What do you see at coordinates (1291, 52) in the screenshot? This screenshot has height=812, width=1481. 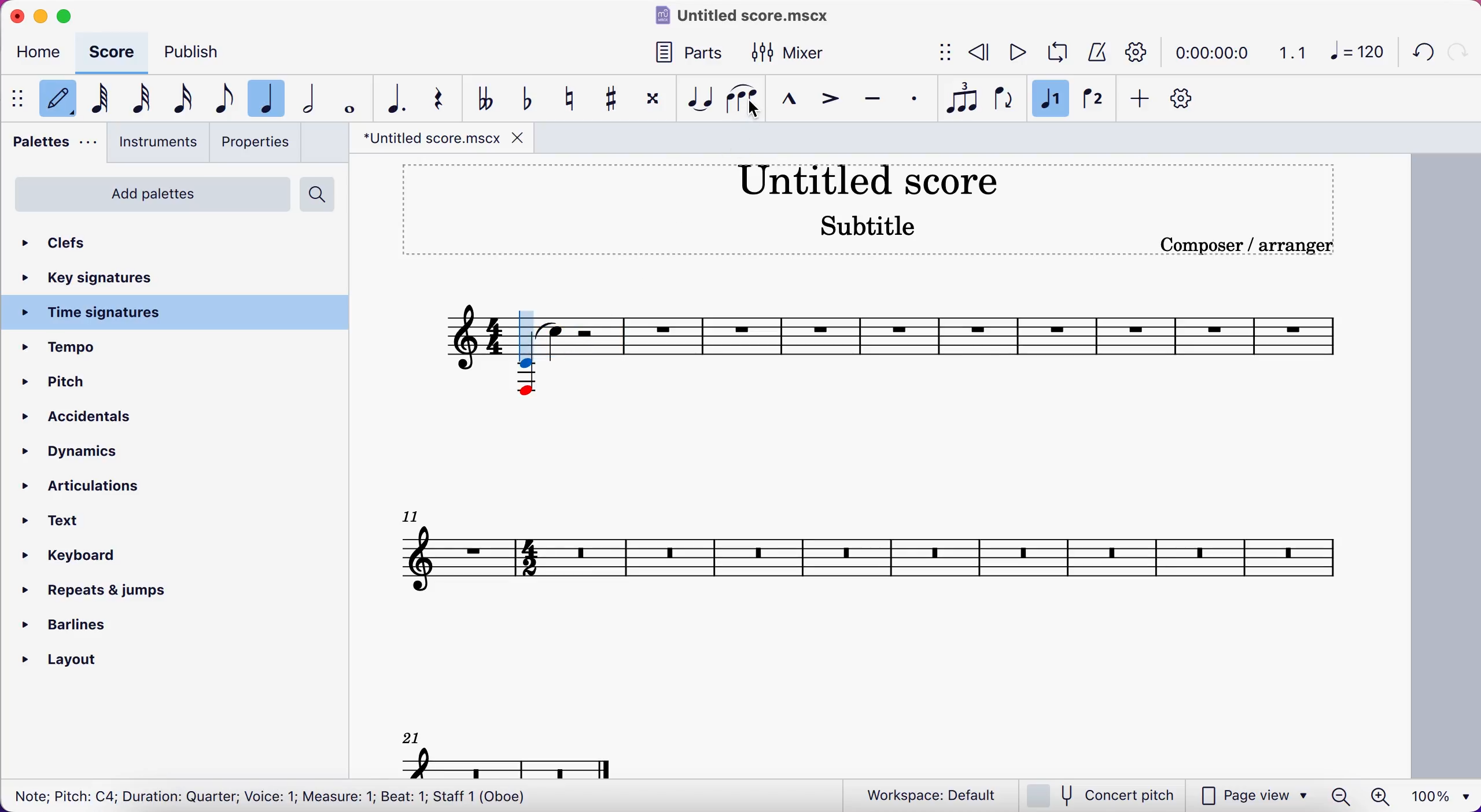 I see `1.1` at bounding box center [1291, 52].